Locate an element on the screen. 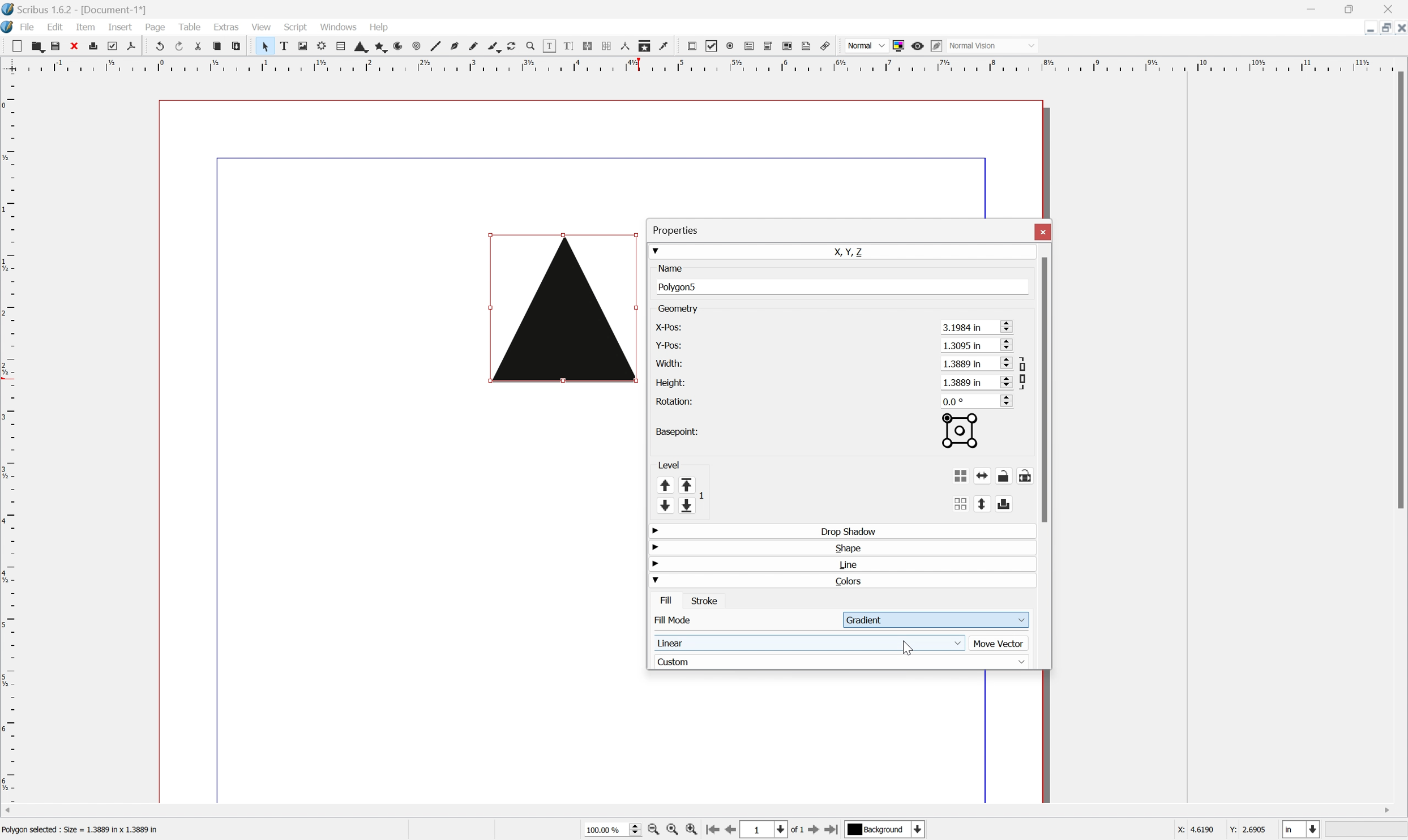  X: 4.6190 is located at coordinates (1192, 830).